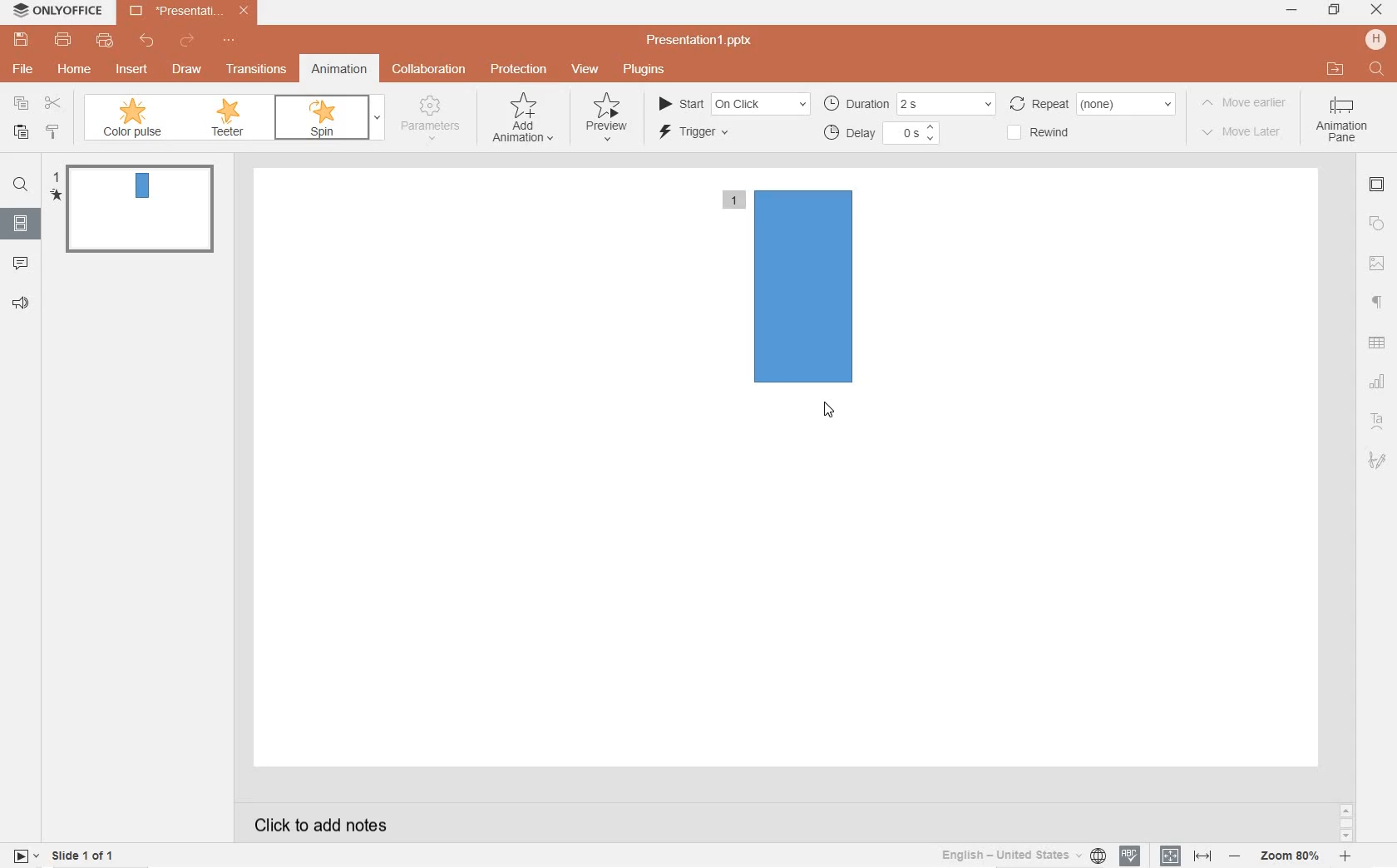 The width and height of the screenshot is (1397, 868). What do you see at coordinates (1095, 103) in the screenshot?
I see `repeat` at bounding box center [1095, 103].